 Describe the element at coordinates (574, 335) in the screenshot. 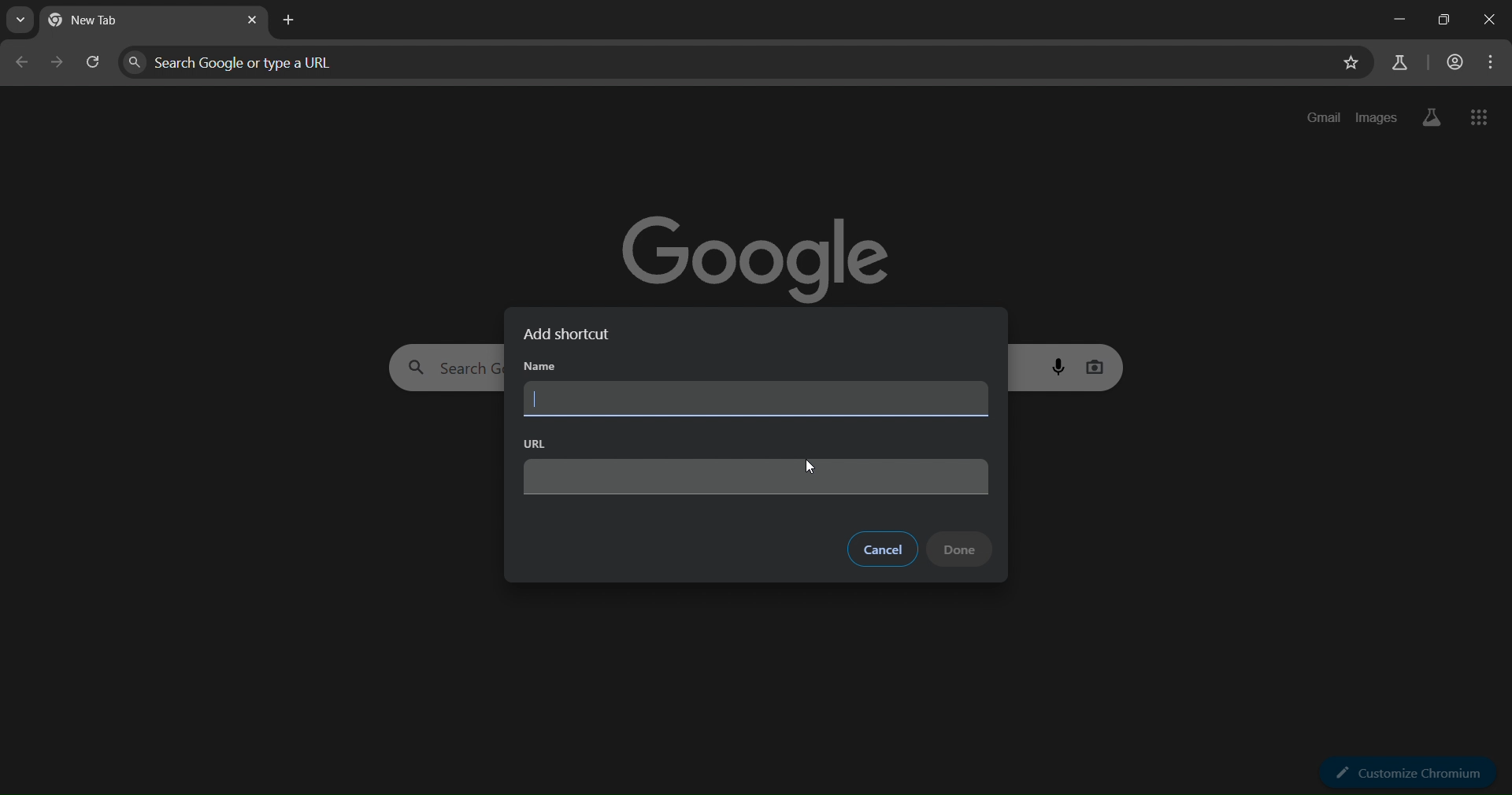

I see `add shortcut` at that location.